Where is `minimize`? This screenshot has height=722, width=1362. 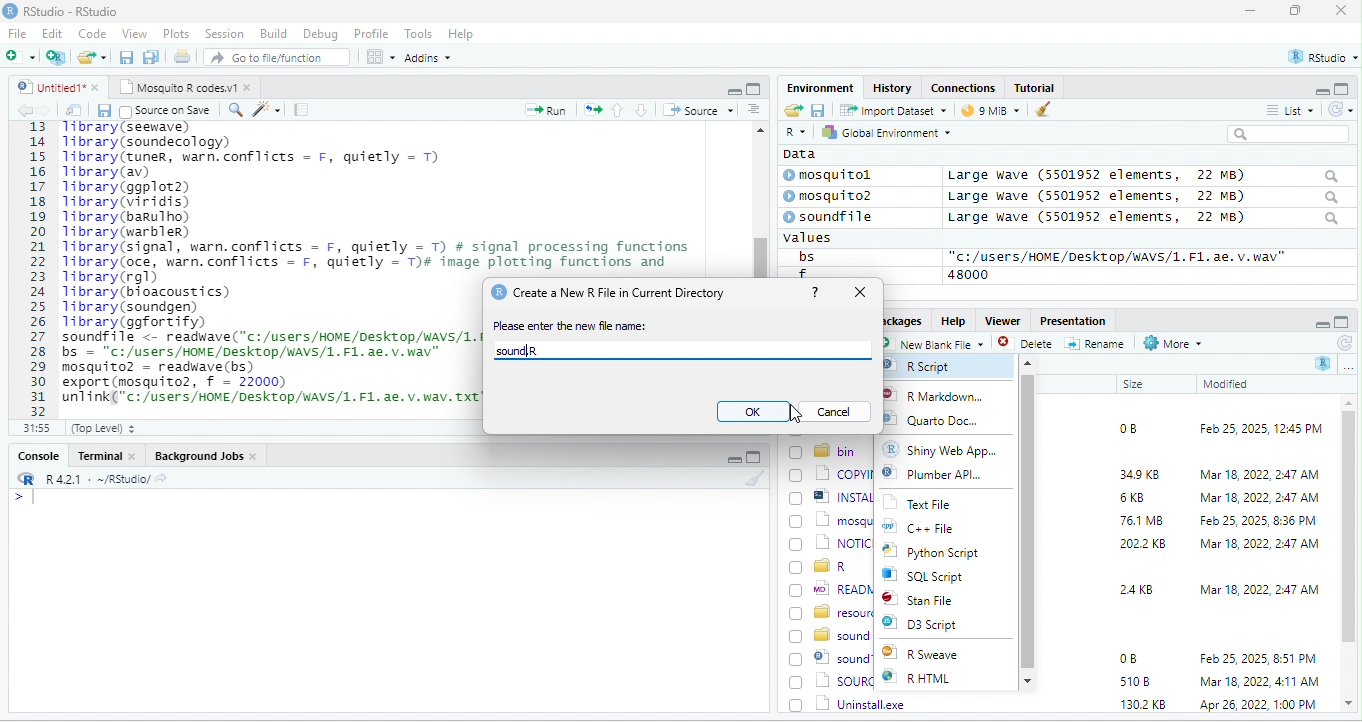 minimize is located at coordinates (1314, 90).